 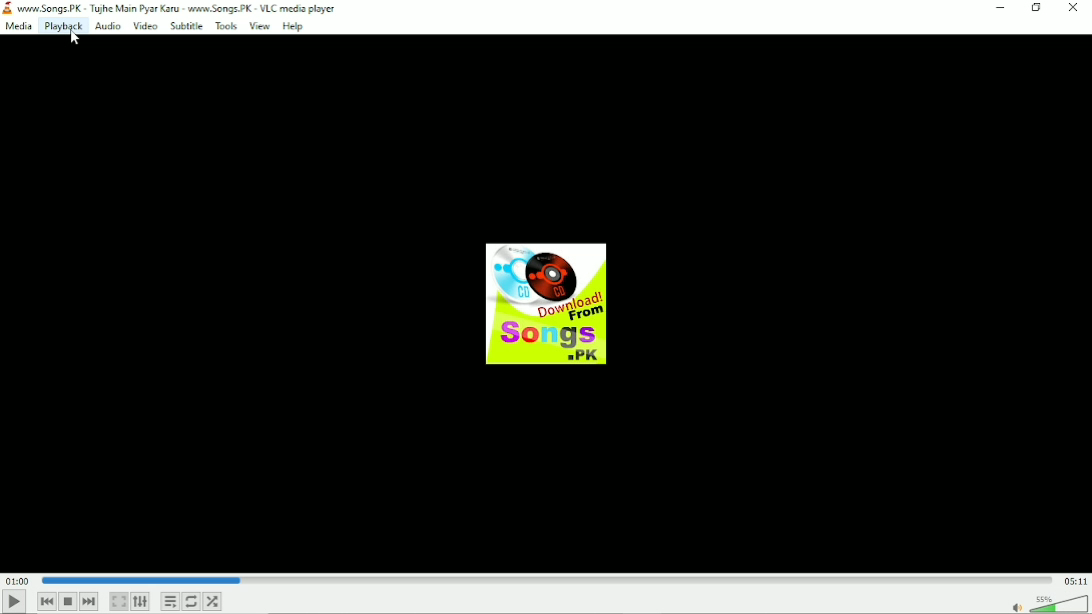 What do you see at coordinates (141, 602) in the screenshot?
I see `Show extended settings` at bounding box center [141, 602].